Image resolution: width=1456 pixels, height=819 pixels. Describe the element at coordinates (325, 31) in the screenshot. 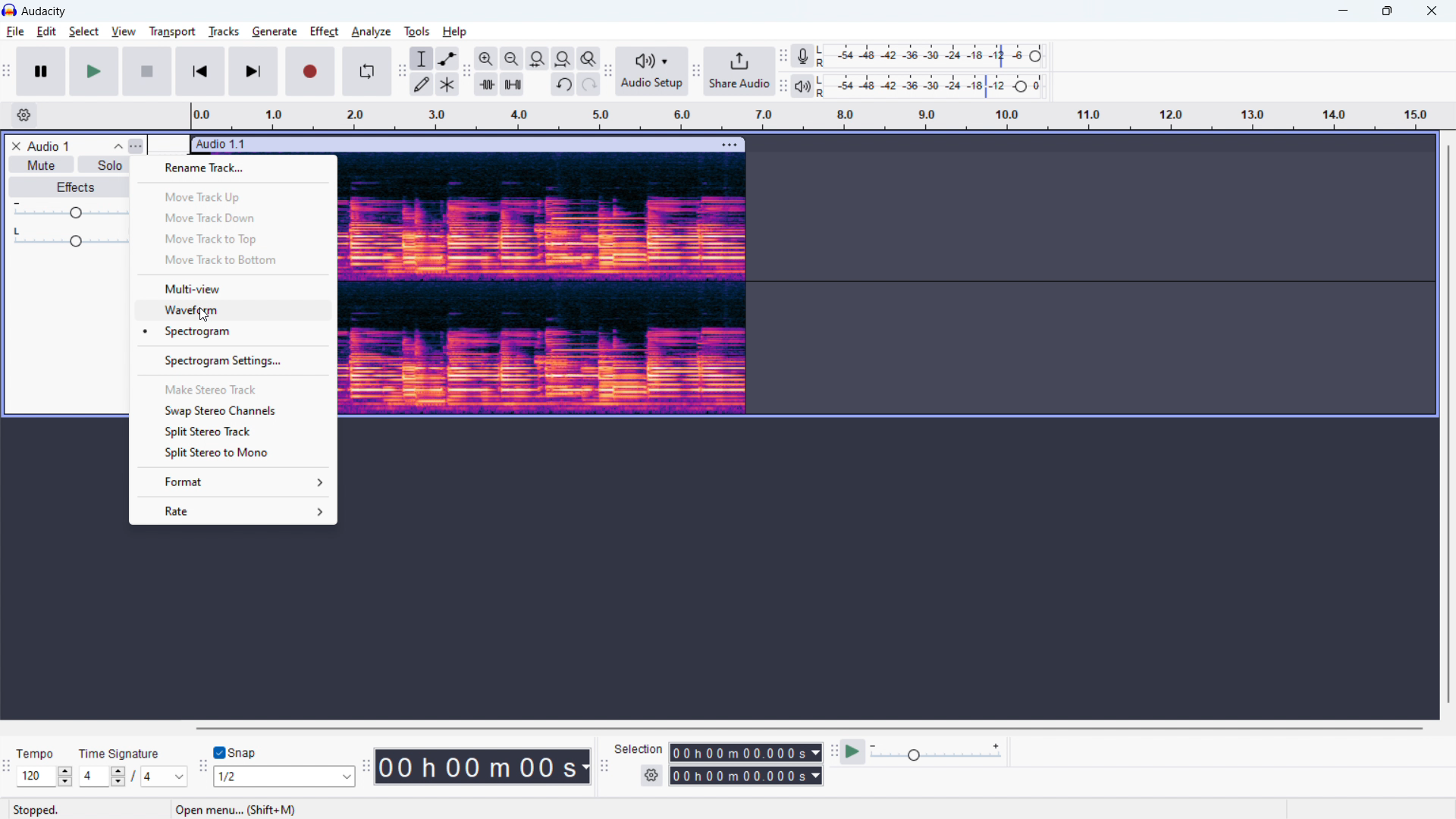

I see `effect` at that location.